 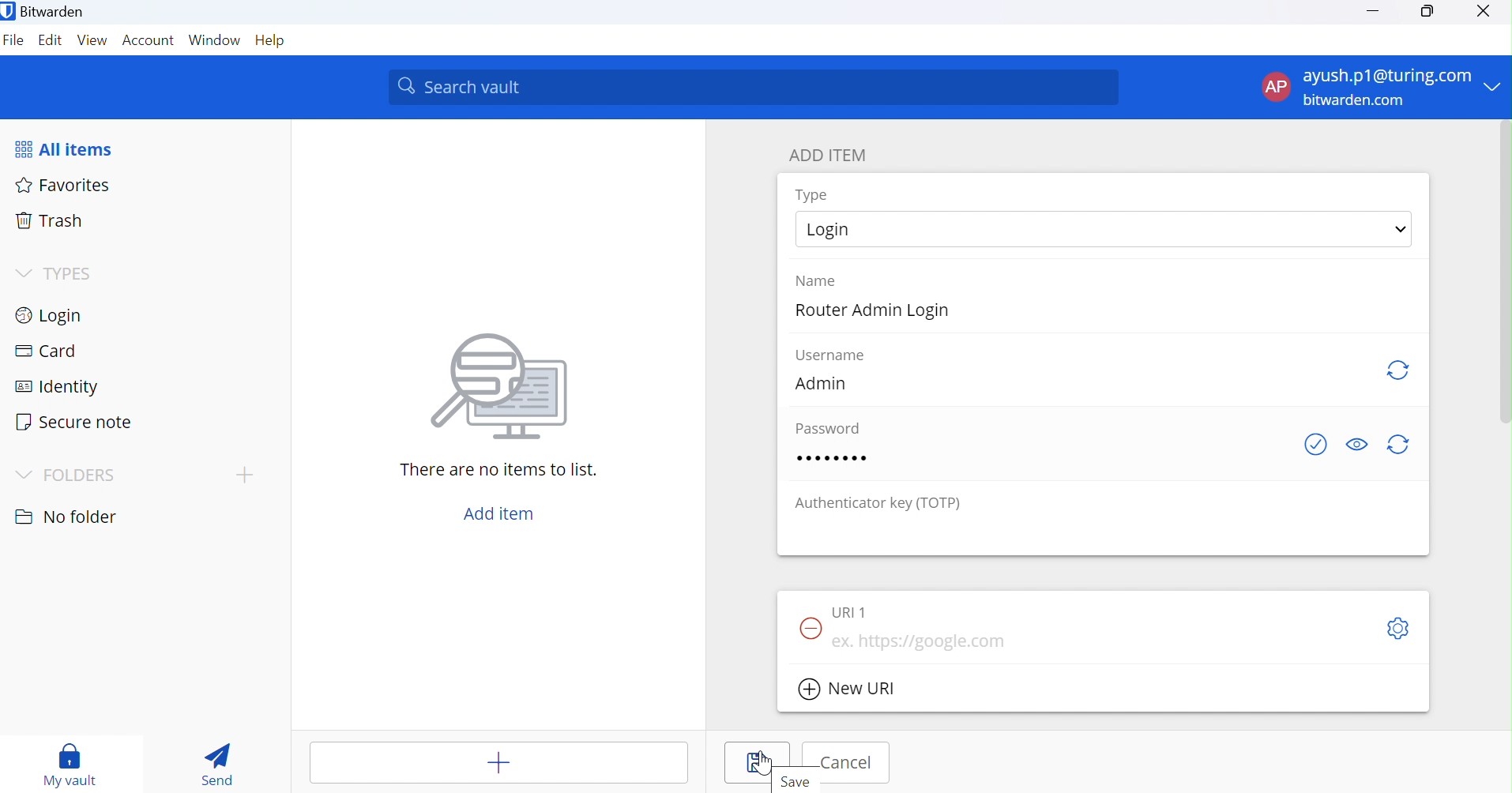 I want to click on Edit, so click(x=52, y=42).